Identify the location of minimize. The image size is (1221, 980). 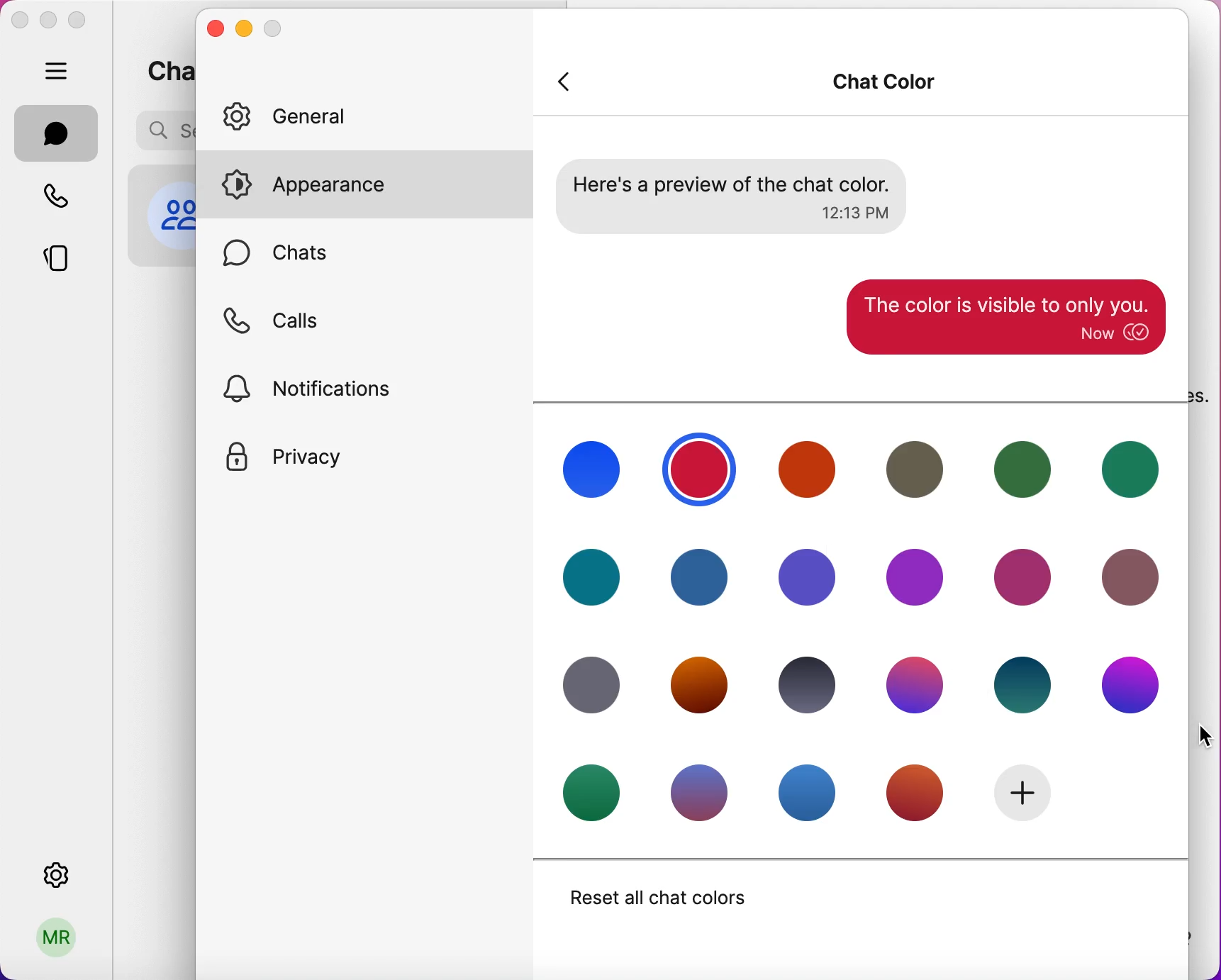
(47, 19).